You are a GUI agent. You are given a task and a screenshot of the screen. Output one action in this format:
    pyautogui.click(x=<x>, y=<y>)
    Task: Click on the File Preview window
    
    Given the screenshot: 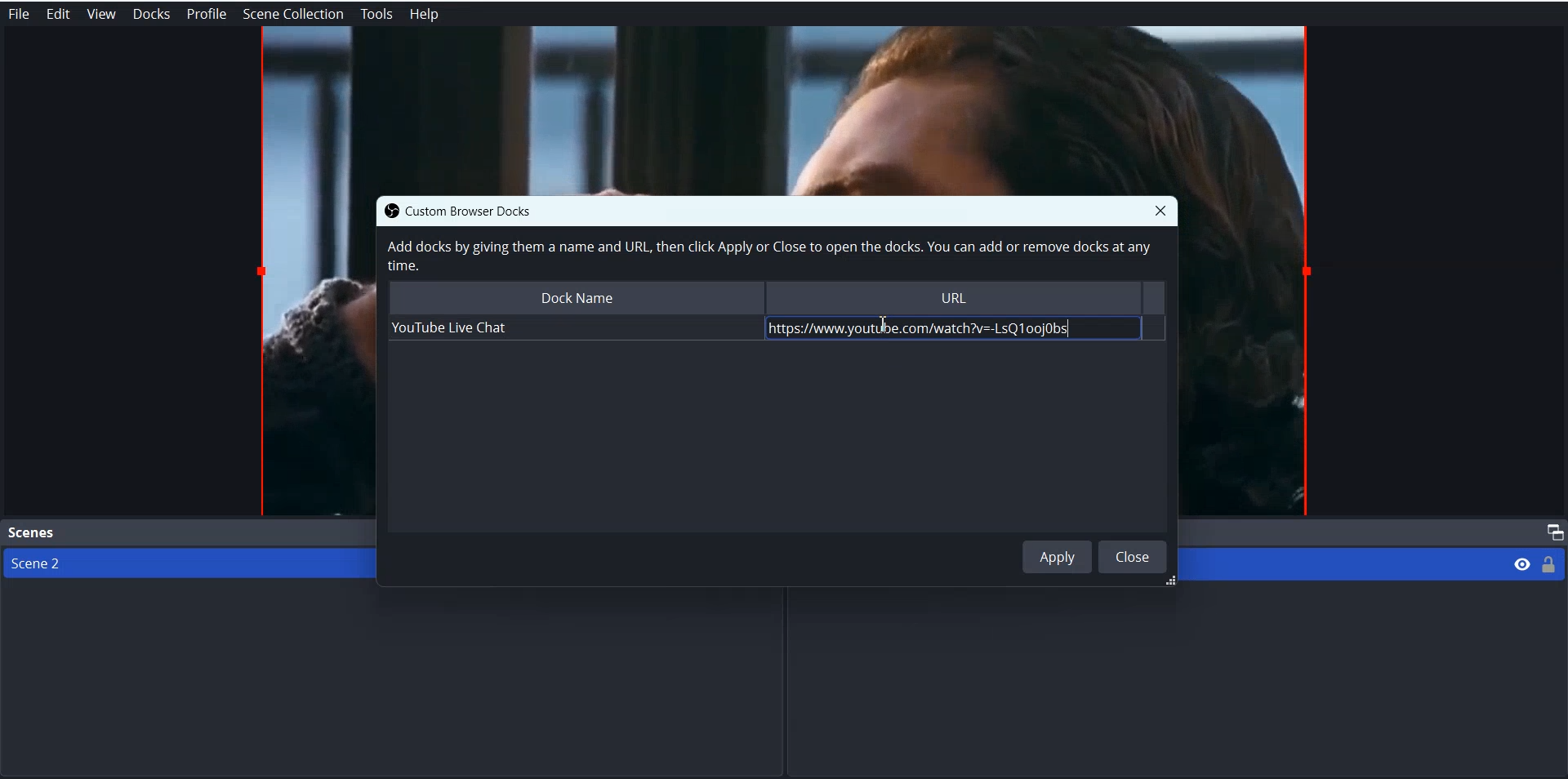 What is the action you would take?
    pyautogui.click(x=784, y=109)
    